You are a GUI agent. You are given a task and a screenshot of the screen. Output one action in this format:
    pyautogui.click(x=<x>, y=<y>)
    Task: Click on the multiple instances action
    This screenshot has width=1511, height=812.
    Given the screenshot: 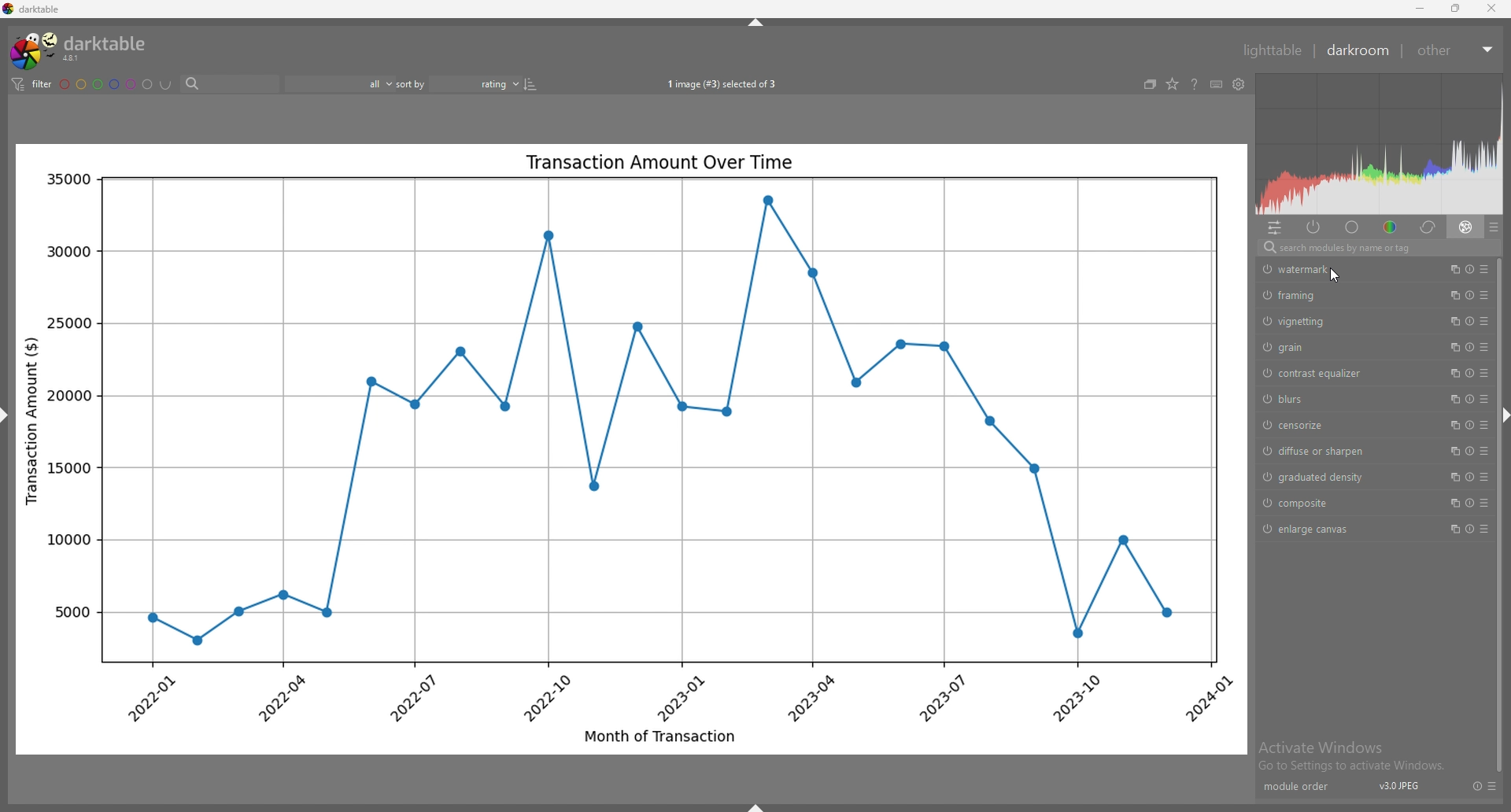 What is the action you would take?
    pyautogui.click(x=1454, y=502)
    